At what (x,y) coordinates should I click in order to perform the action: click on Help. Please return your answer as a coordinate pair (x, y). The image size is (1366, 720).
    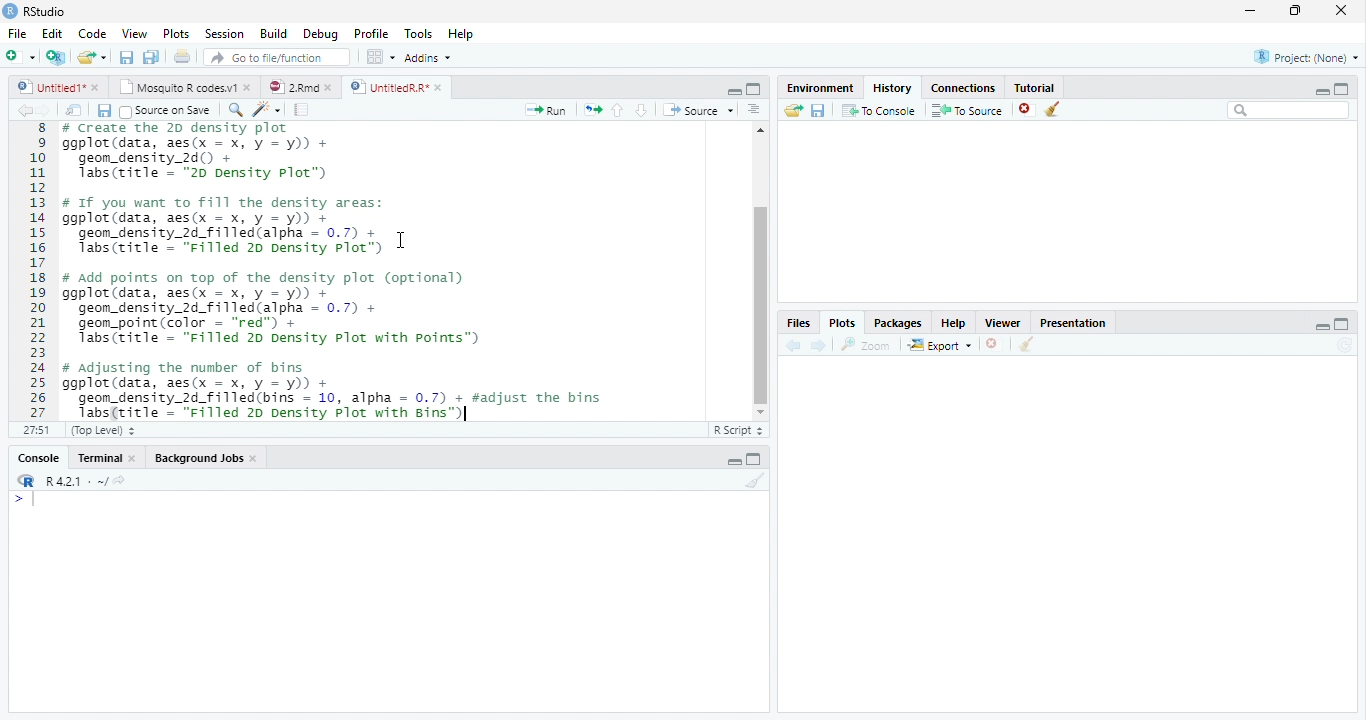
    Looking at the image, I should click on (953, 325).